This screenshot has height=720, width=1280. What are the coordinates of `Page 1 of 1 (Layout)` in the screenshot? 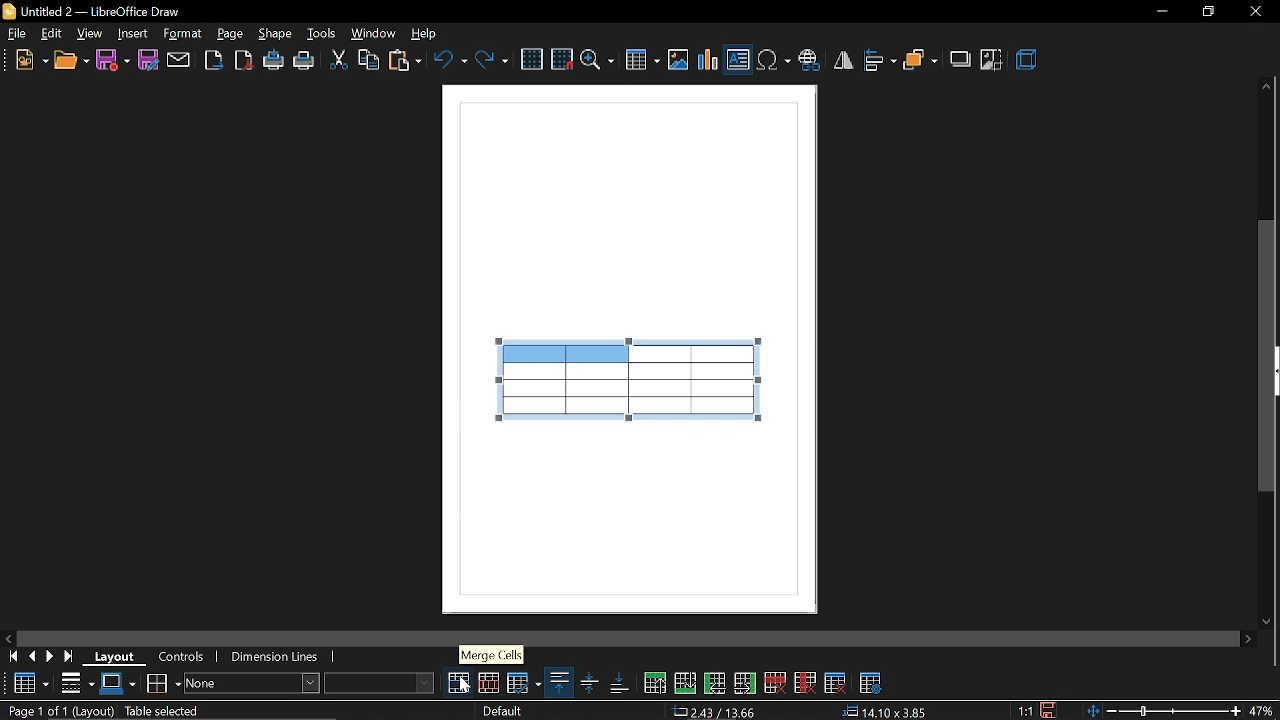 It's located at (58, 711).